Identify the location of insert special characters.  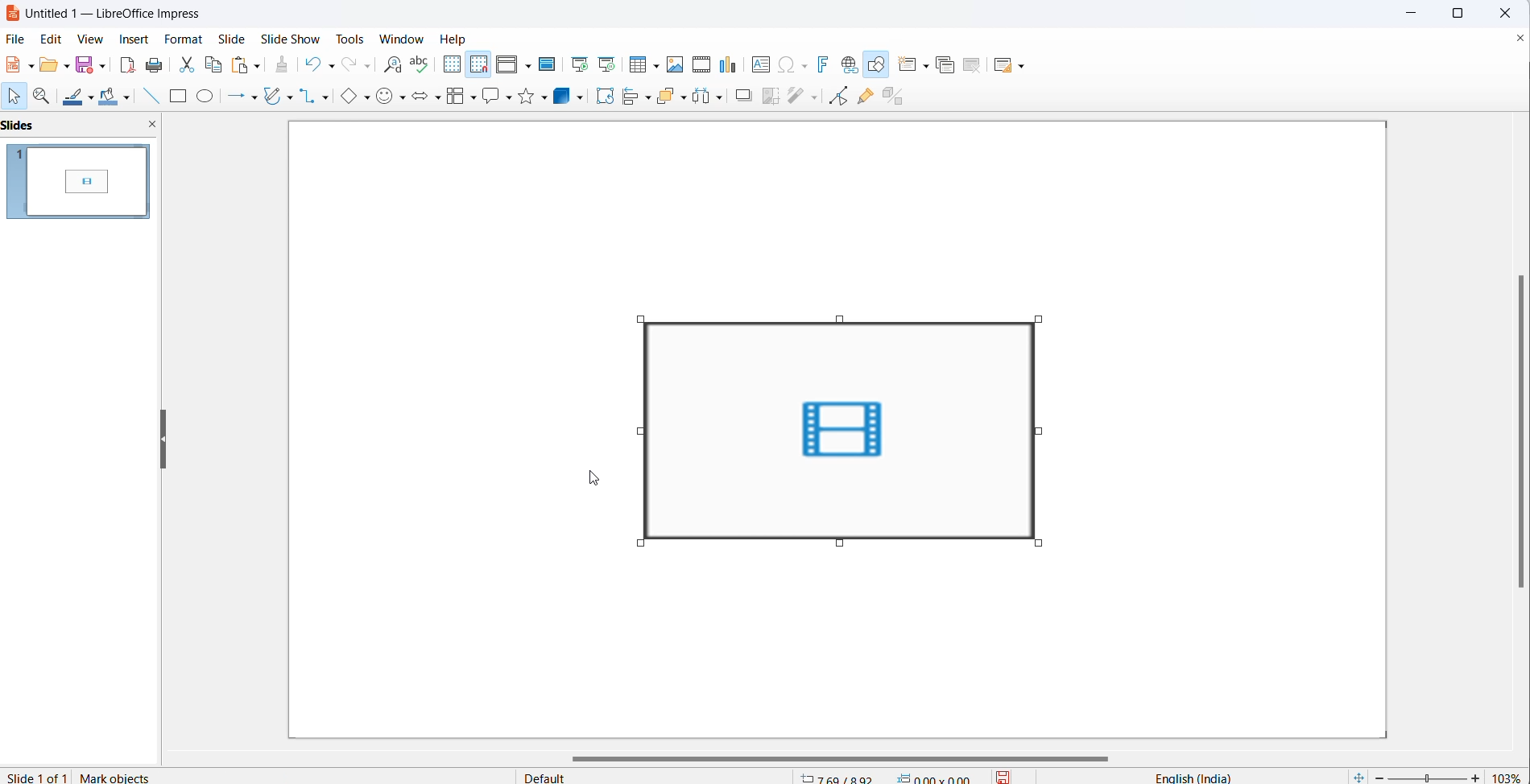
(786, 66).